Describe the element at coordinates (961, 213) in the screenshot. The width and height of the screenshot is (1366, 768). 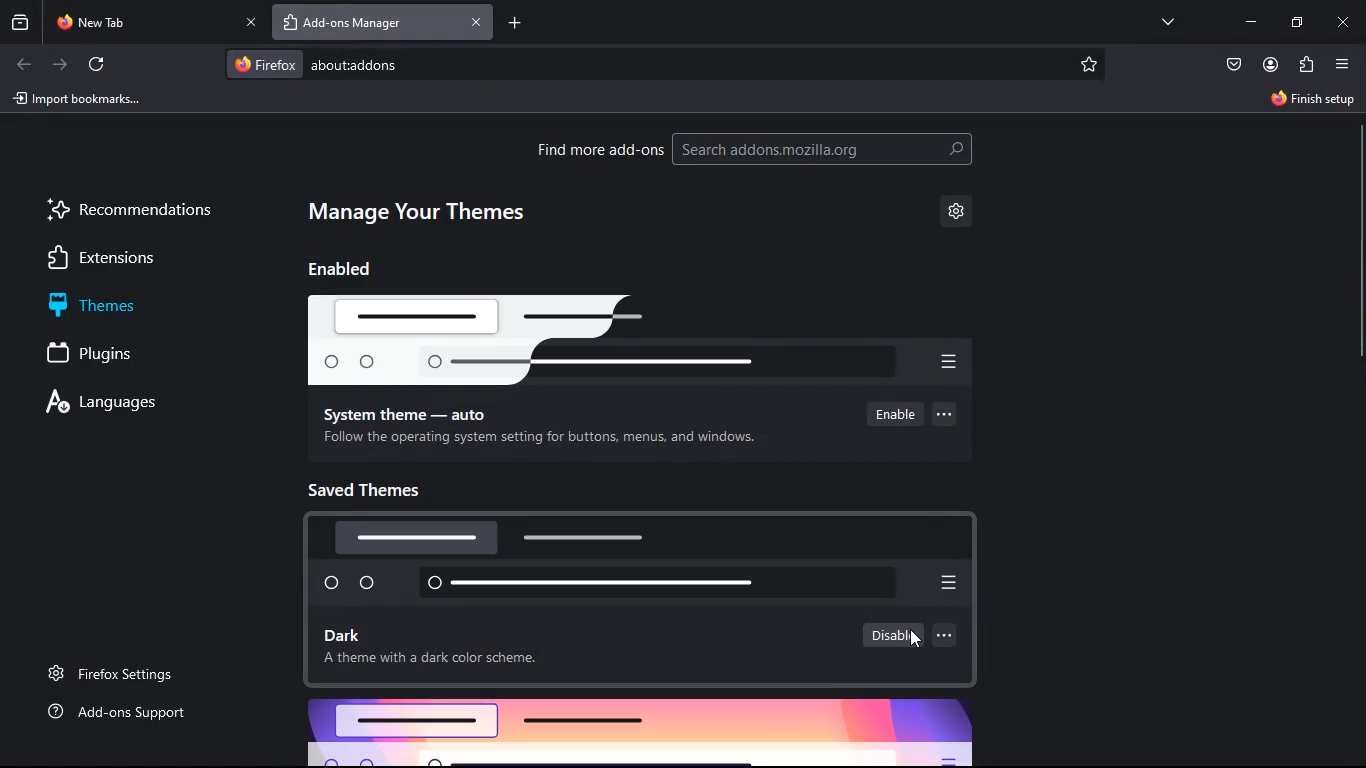
I see `settings` at that location.